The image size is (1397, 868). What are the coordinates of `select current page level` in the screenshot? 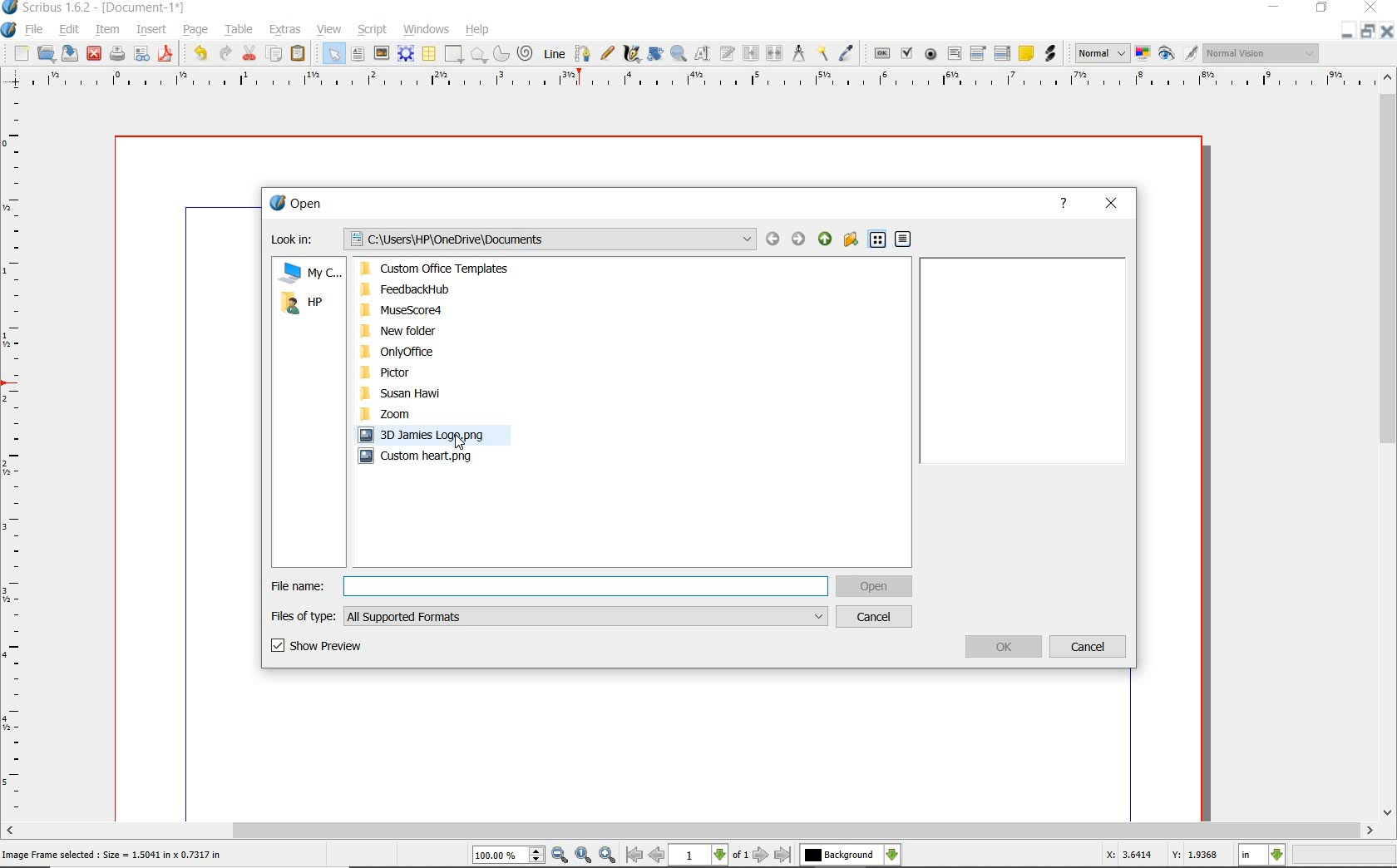 It's located at (709, 855).